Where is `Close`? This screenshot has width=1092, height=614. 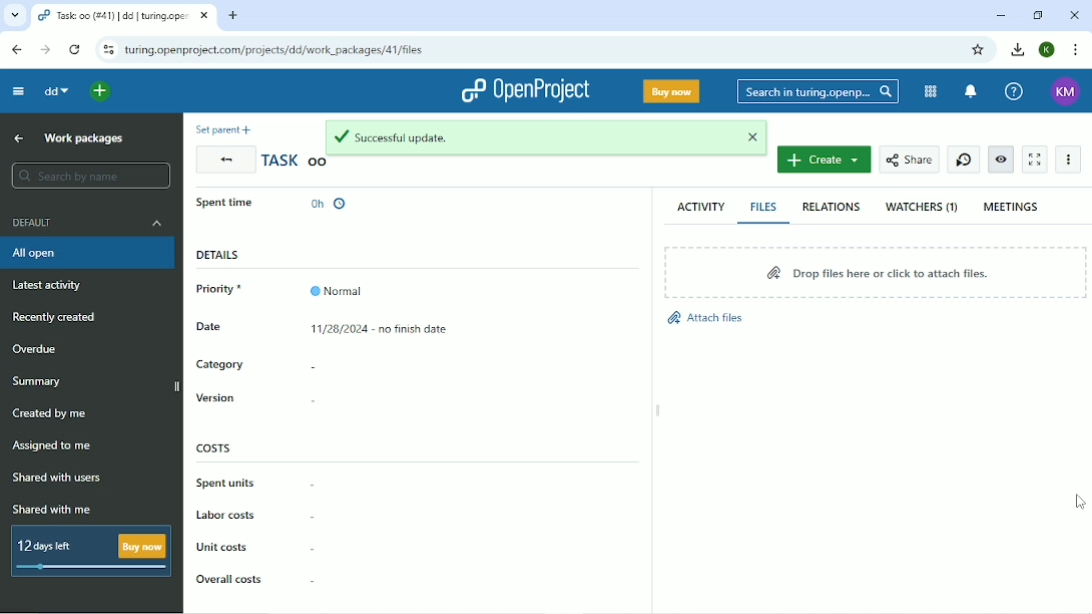
Close is located at coordinates (1073, 15).